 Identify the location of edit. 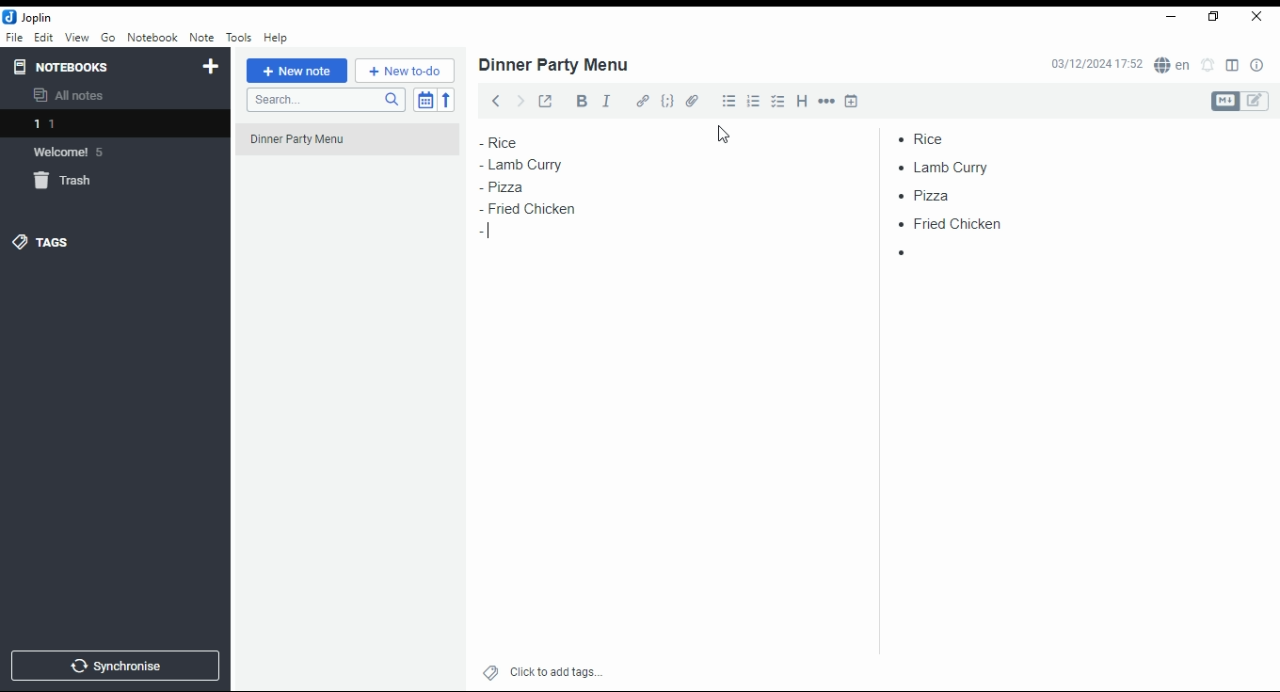
(44, 37).